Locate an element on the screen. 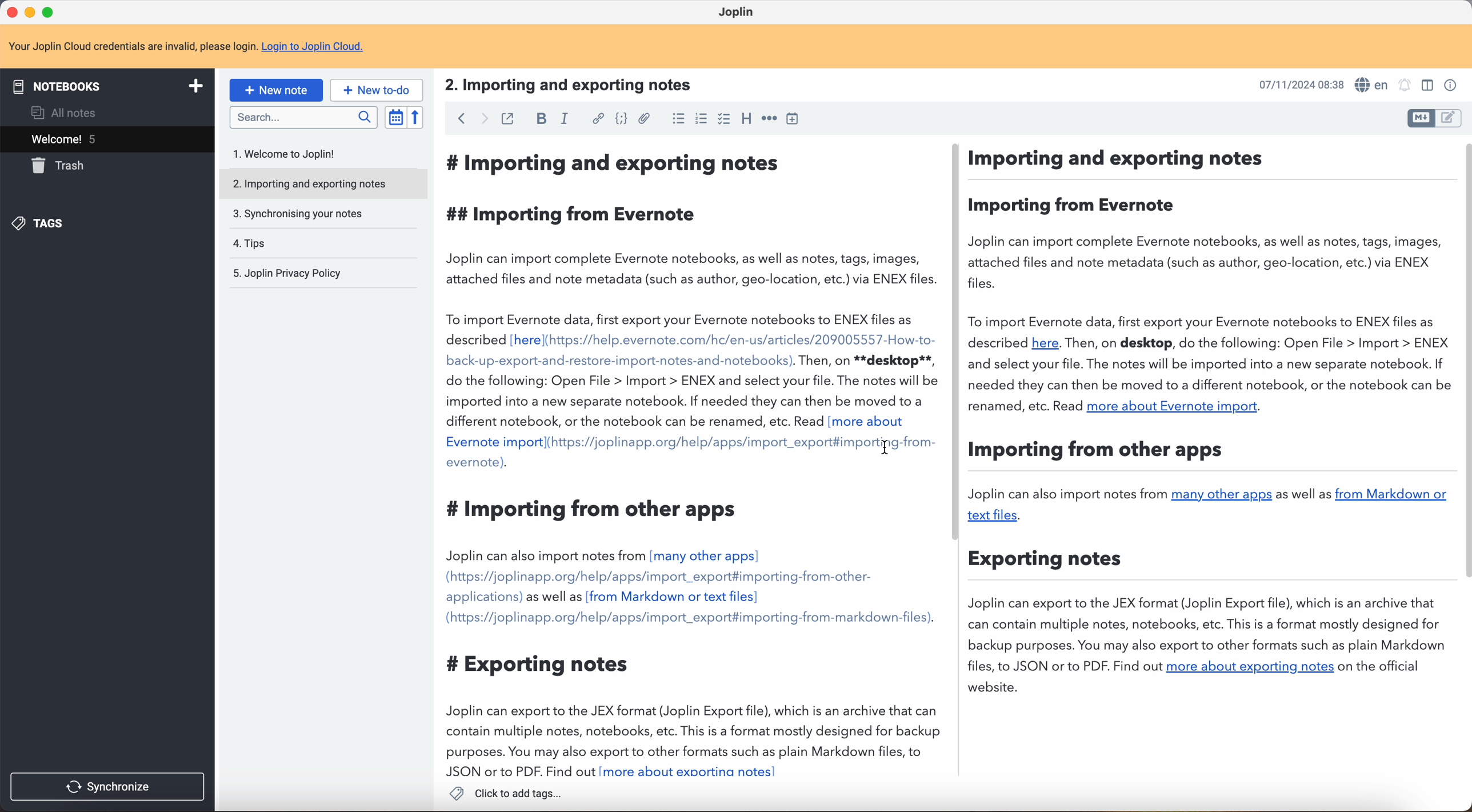 The image size is (1472, 812). Joplin privacy policy is located at coordinates (287, 273).